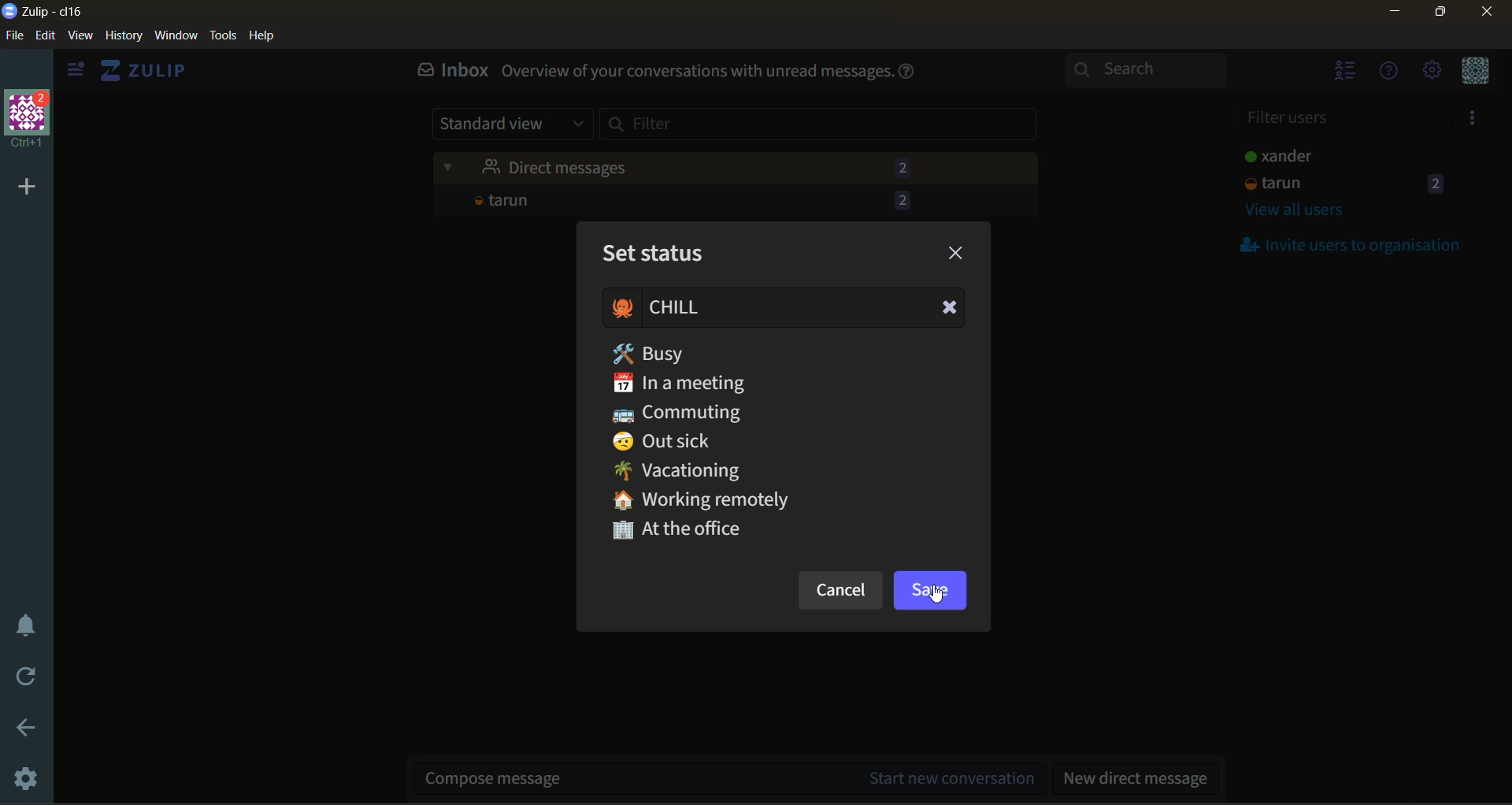 Image resolution: width=1512 pixels, height=805 pixels. What do you see at coordinates (510, 124) in the screenshot?
I see `standard view` at bounding box center [510, 124].